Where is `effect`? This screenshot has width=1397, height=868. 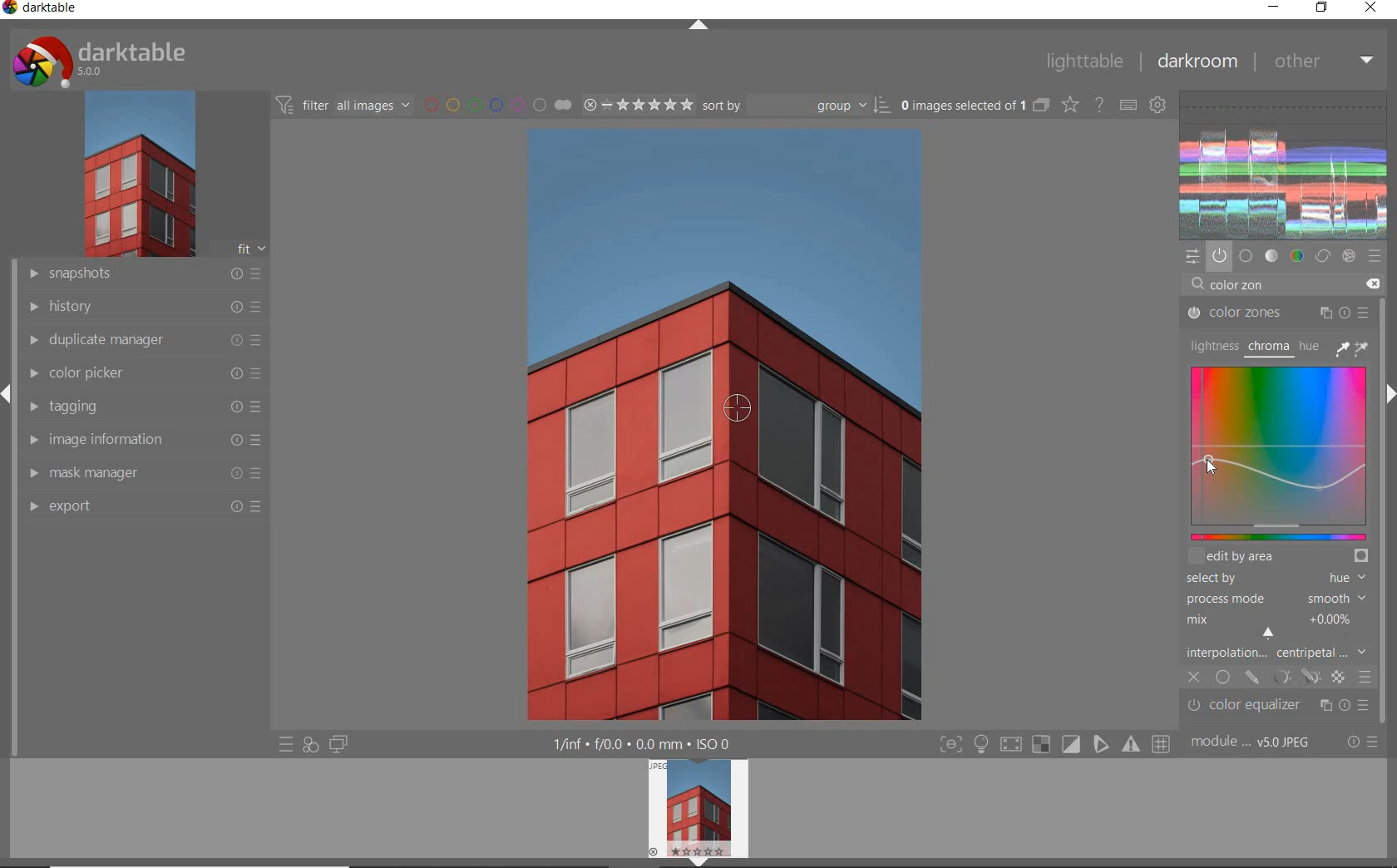
effect is located at coordinates (1350, 256).